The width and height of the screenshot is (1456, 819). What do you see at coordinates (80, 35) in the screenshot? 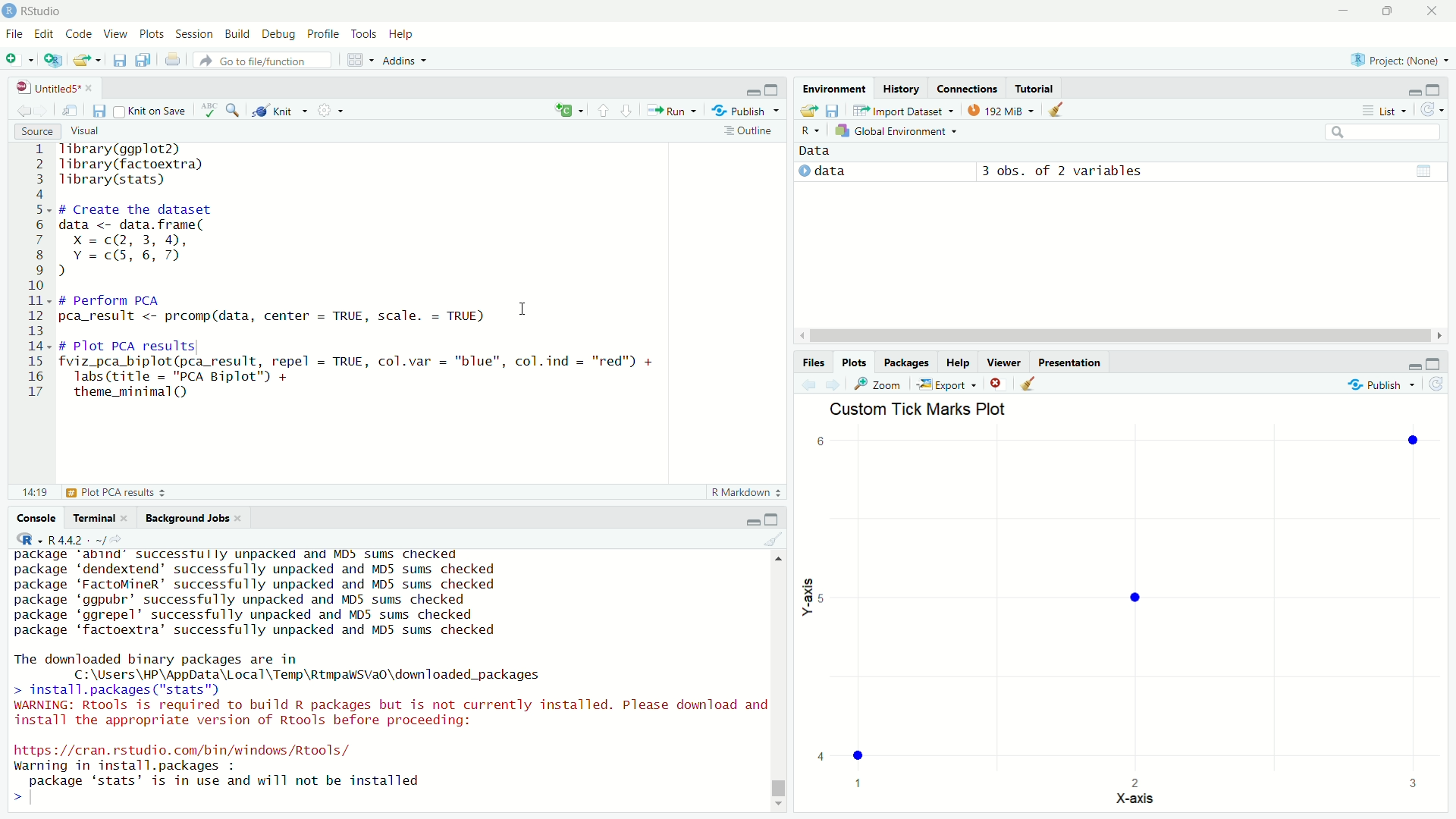
I see `Code` at bounding box center [80, 35].